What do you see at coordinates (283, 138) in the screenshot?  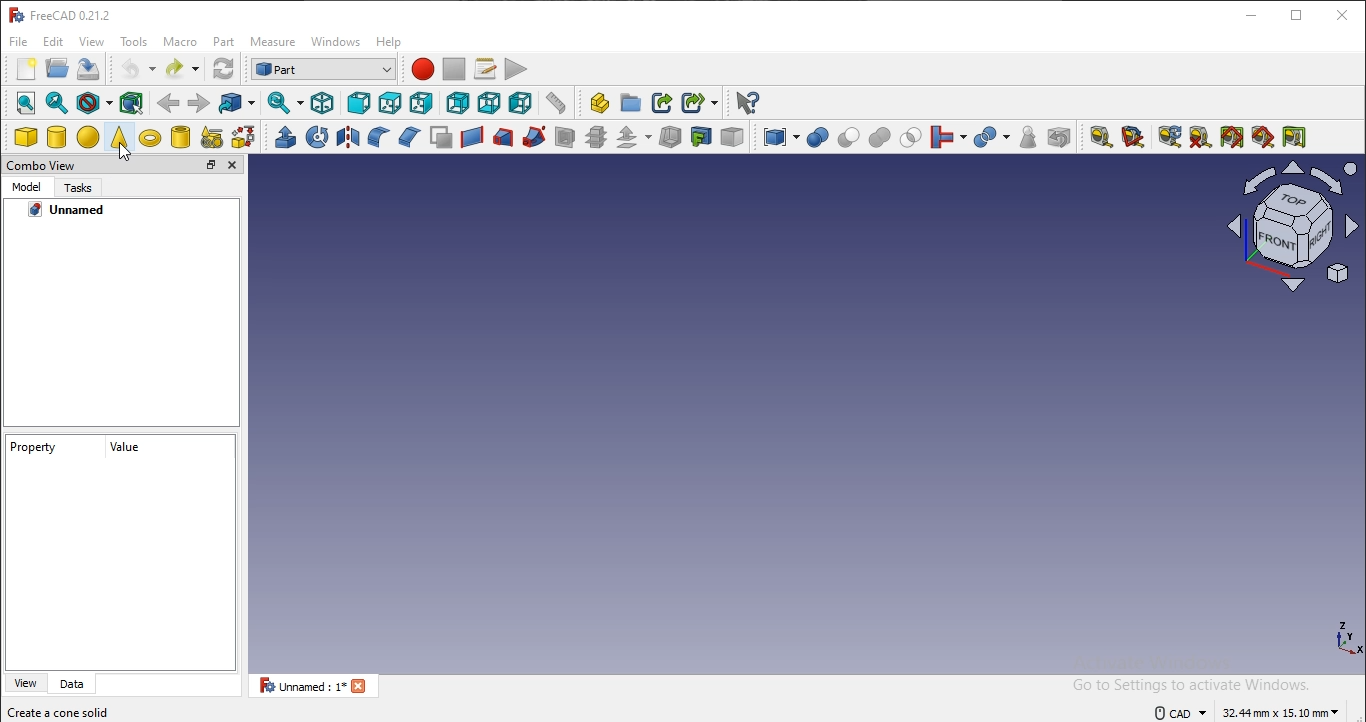 I see `extrude` at bounding box center [283, 138].